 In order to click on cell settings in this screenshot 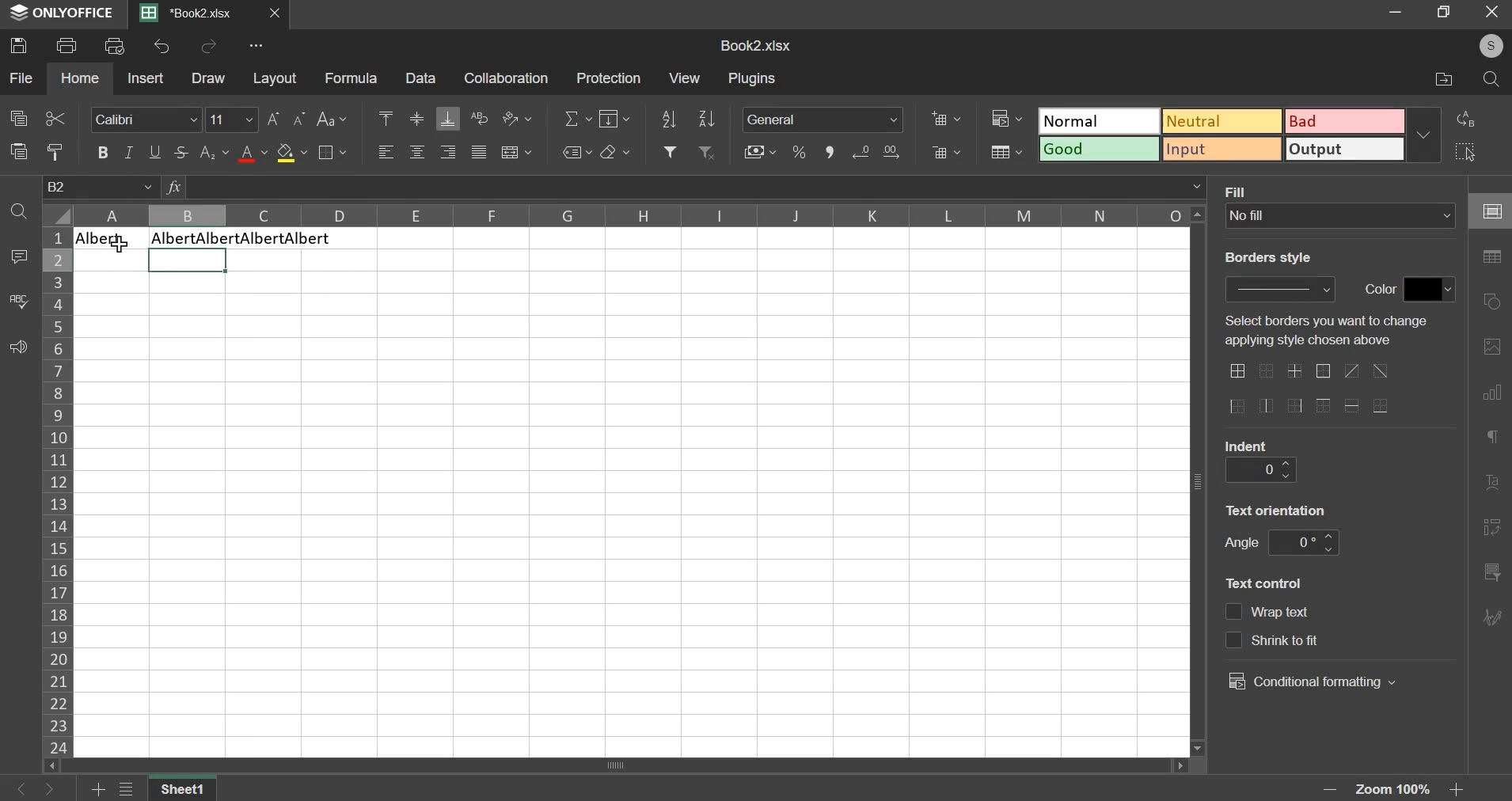, I will do `click(1491, 211)`.